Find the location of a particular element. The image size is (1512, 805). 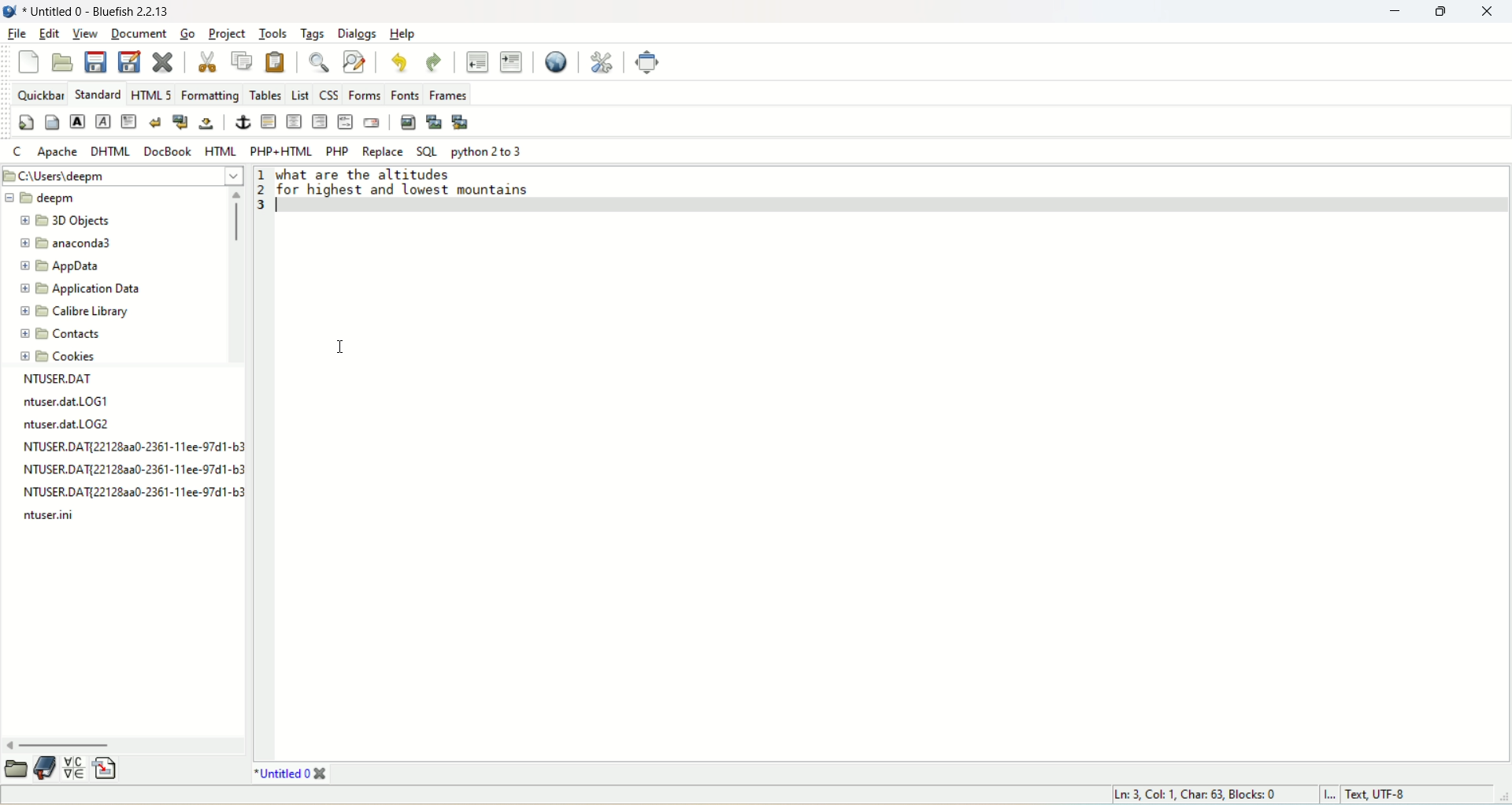

tools is located at coordinates (272, 34).